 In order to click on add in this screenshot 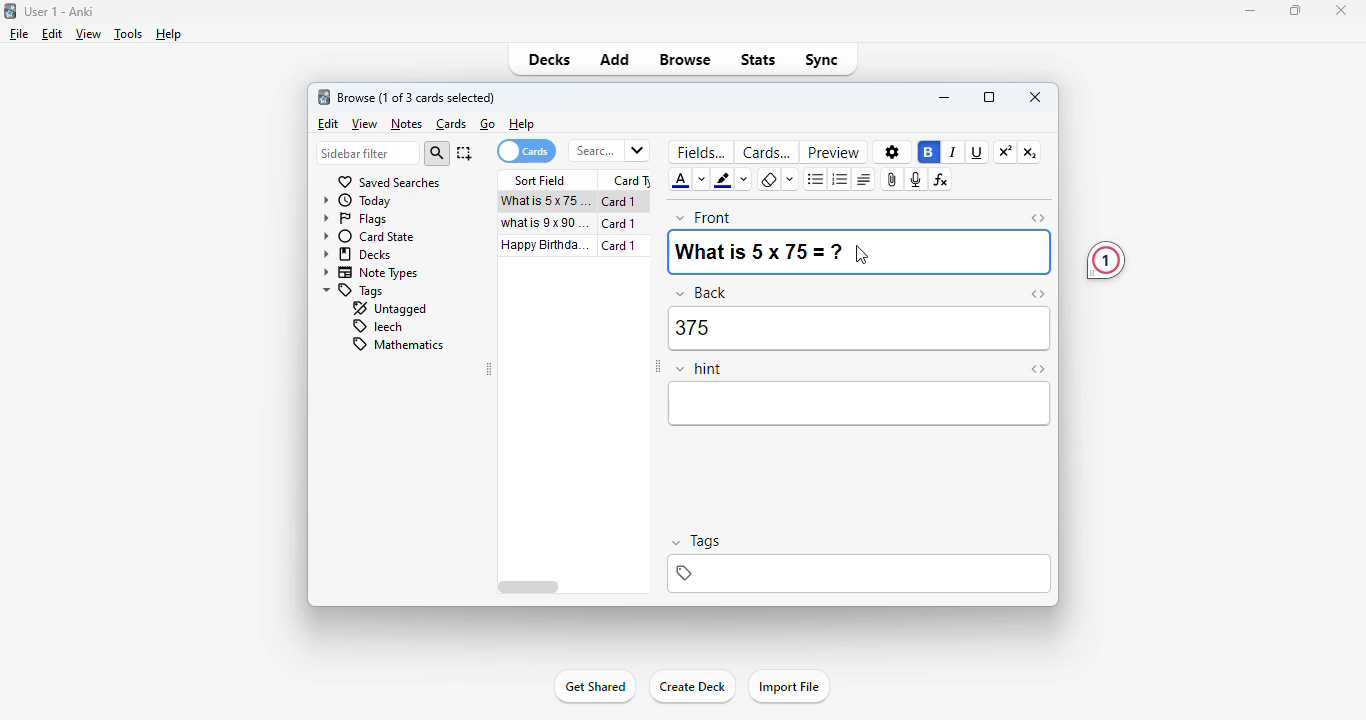, I will do `click(616, 59)`.